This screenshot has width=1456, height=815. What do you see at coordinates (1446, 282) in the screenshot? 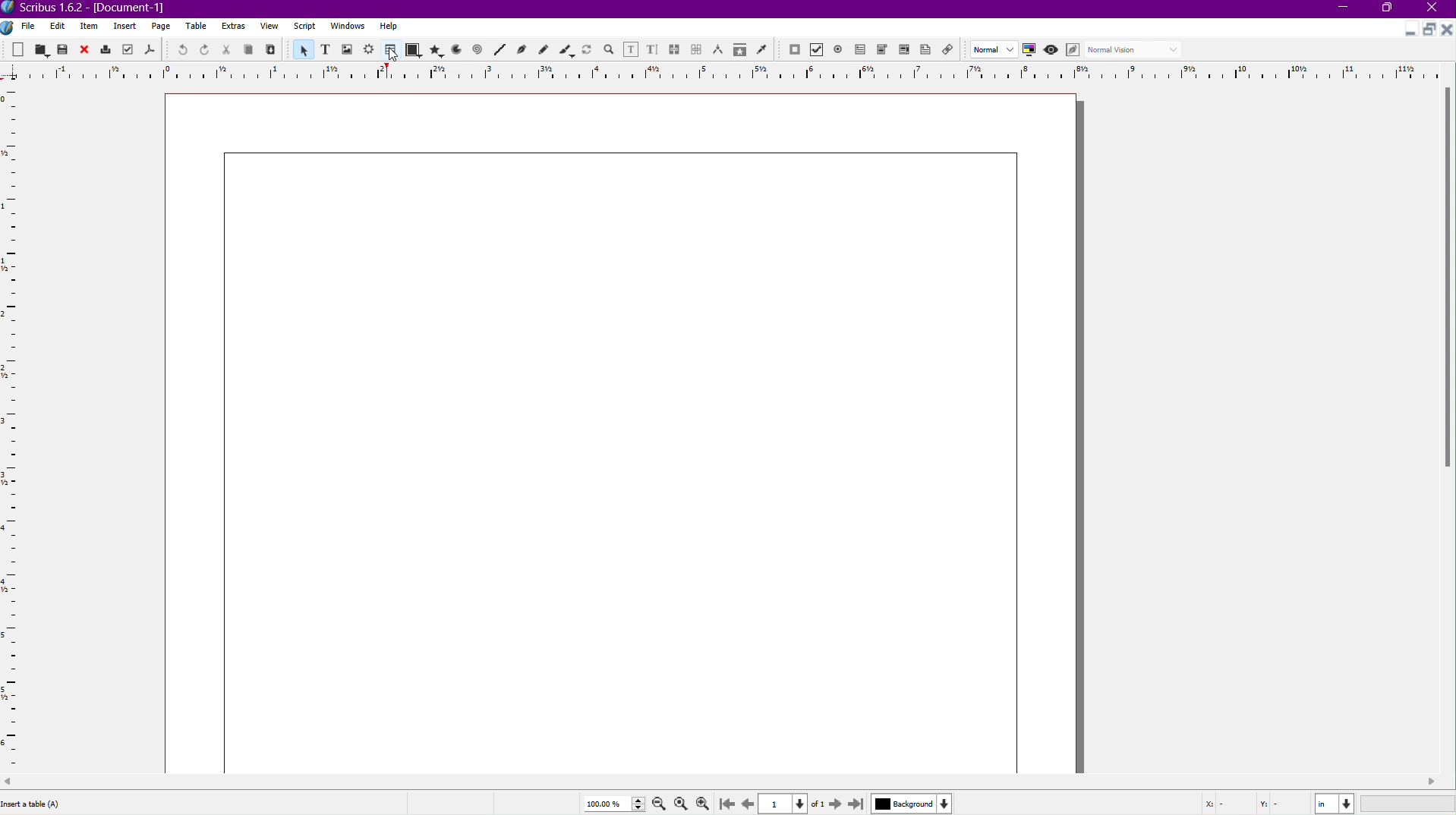
I see `Scrollbar` at bounding box center [1446, 282].